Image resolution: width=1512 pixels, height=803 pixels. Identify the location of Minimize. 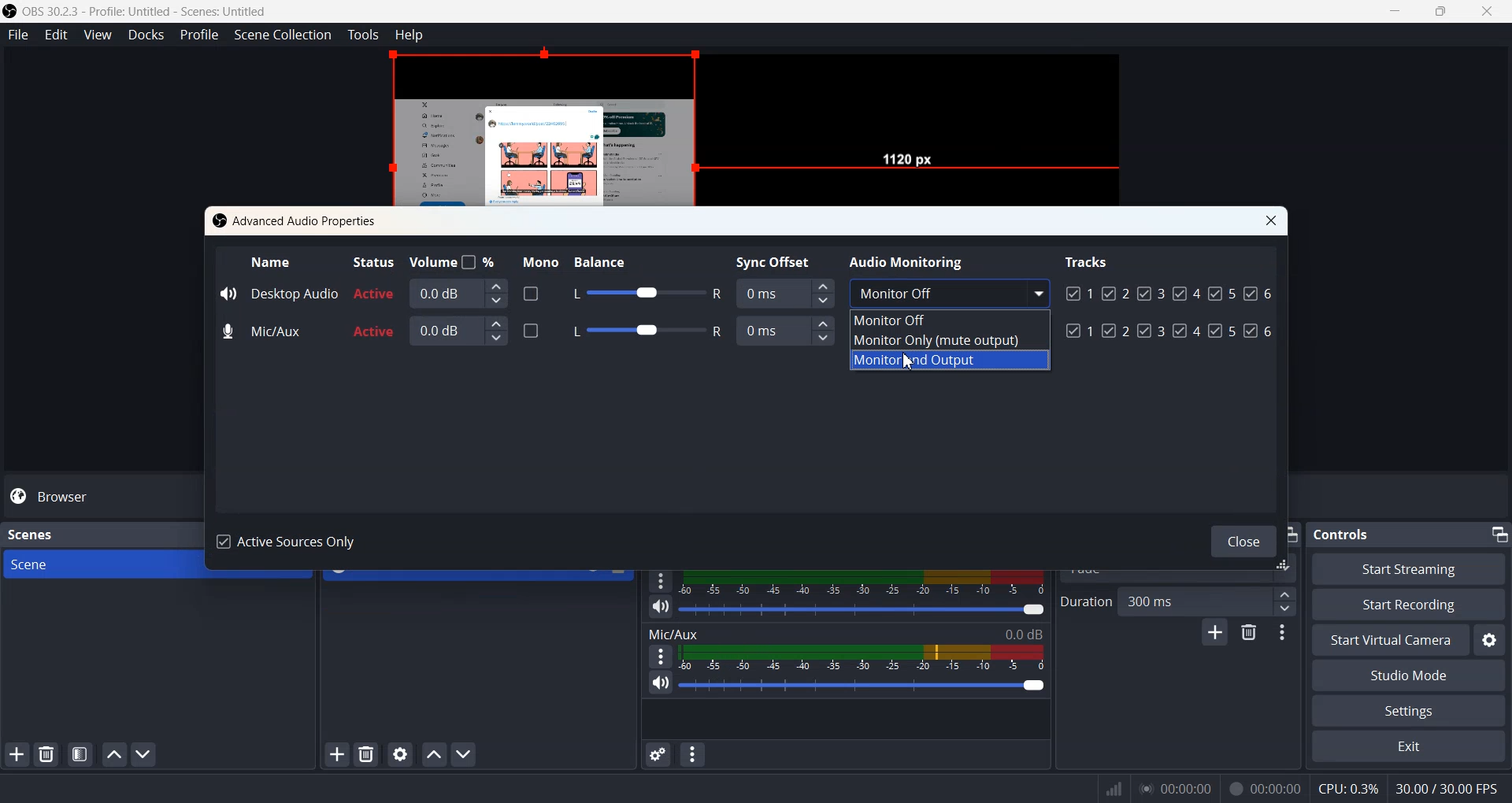
(1498, 531).